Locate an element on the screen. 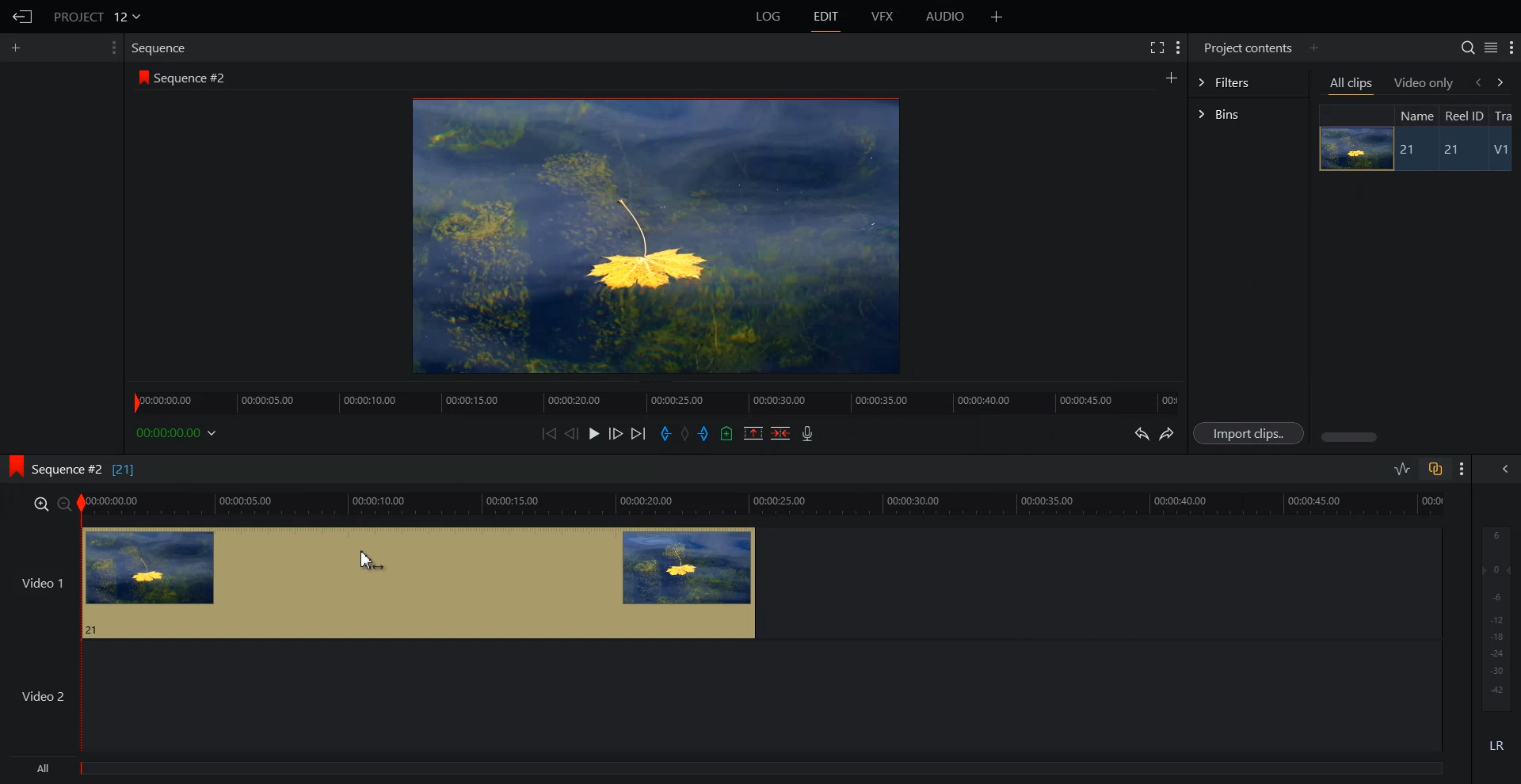  Go Back is located at coordinates (23, 17).